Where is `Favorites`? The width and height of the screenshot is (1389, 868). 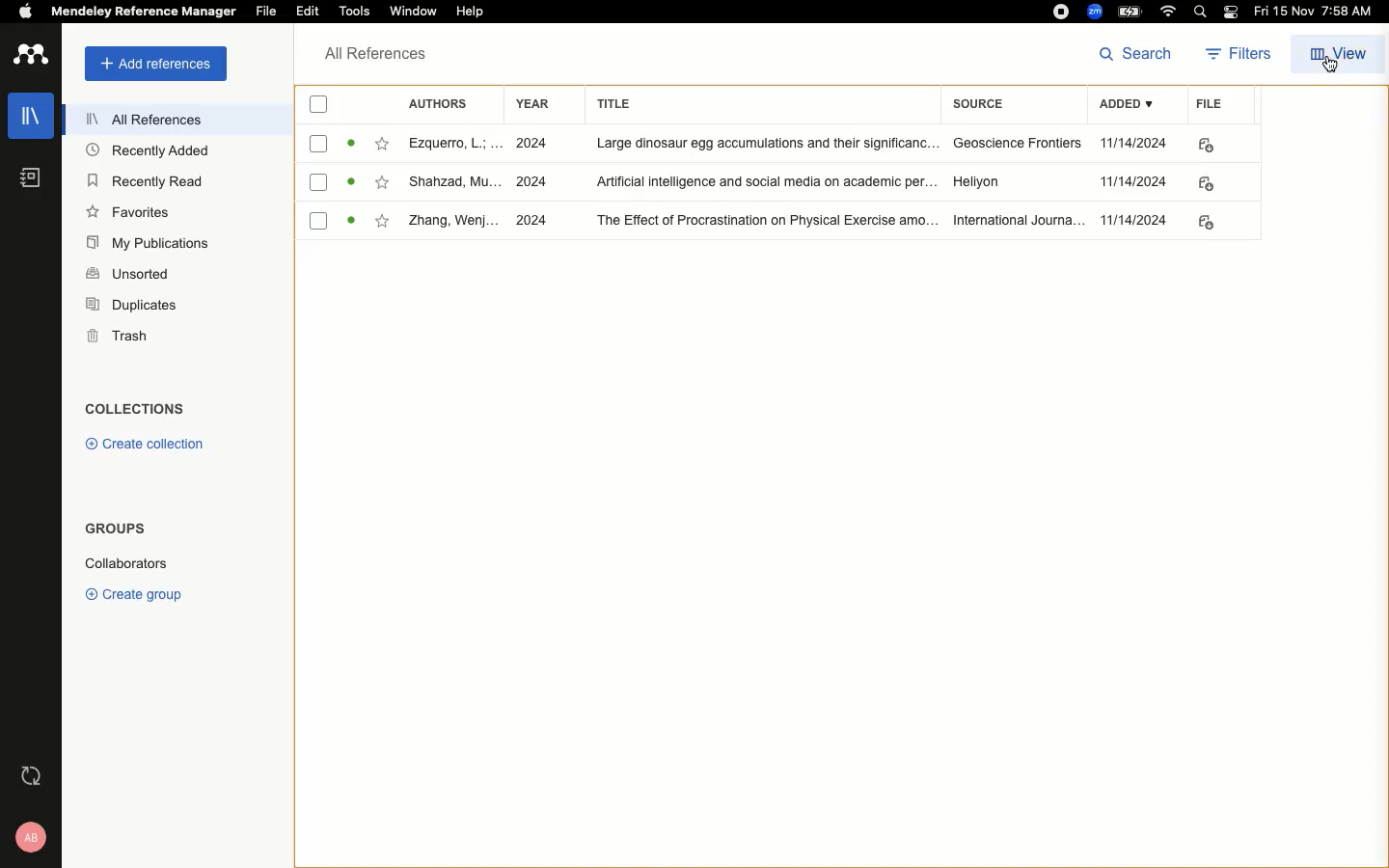 Favorites is located at coordinates (381, 144).